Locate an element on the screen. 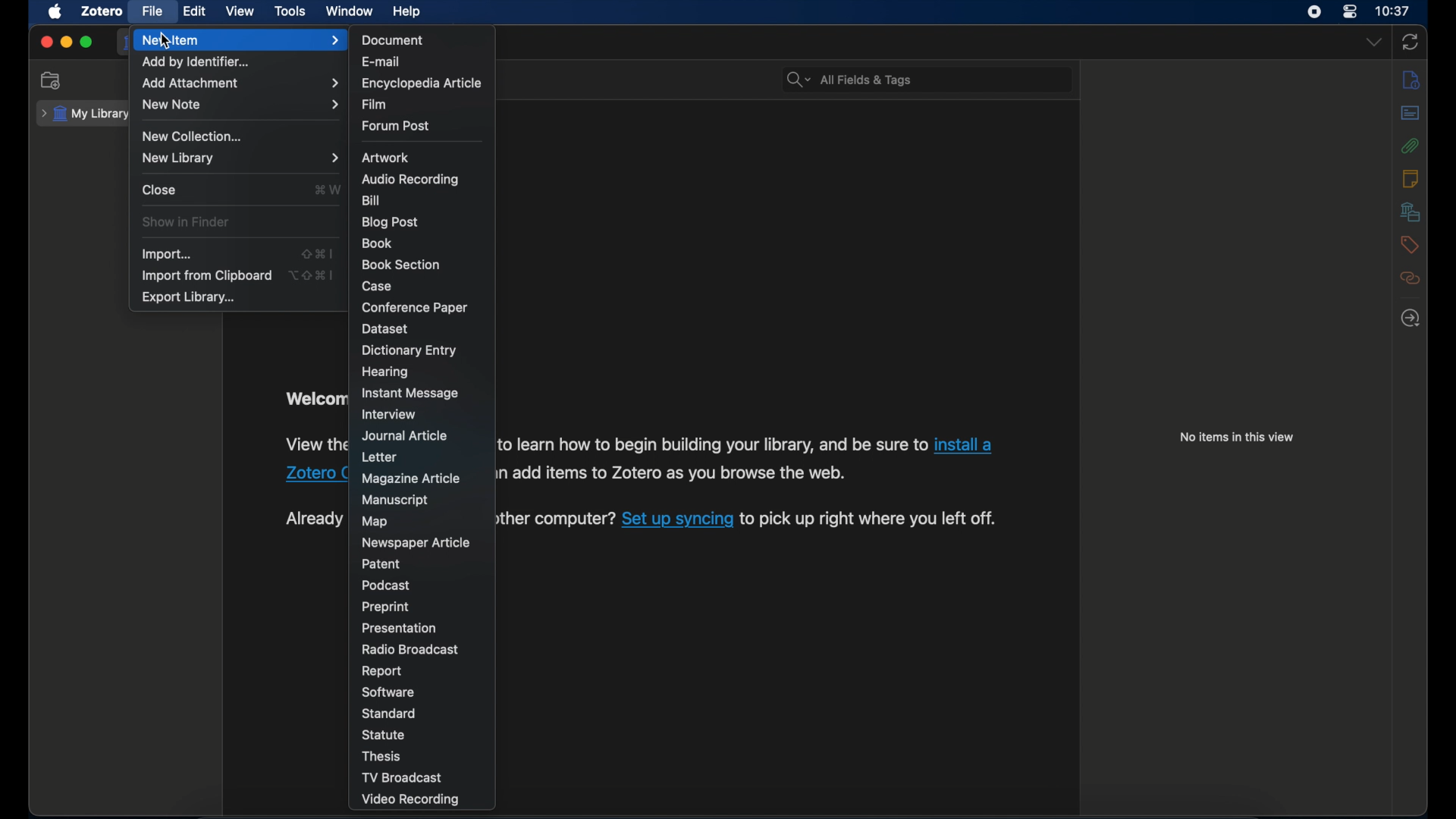 This screenshot has width=1456, height=819. my library is located at coordinates (83, 114).